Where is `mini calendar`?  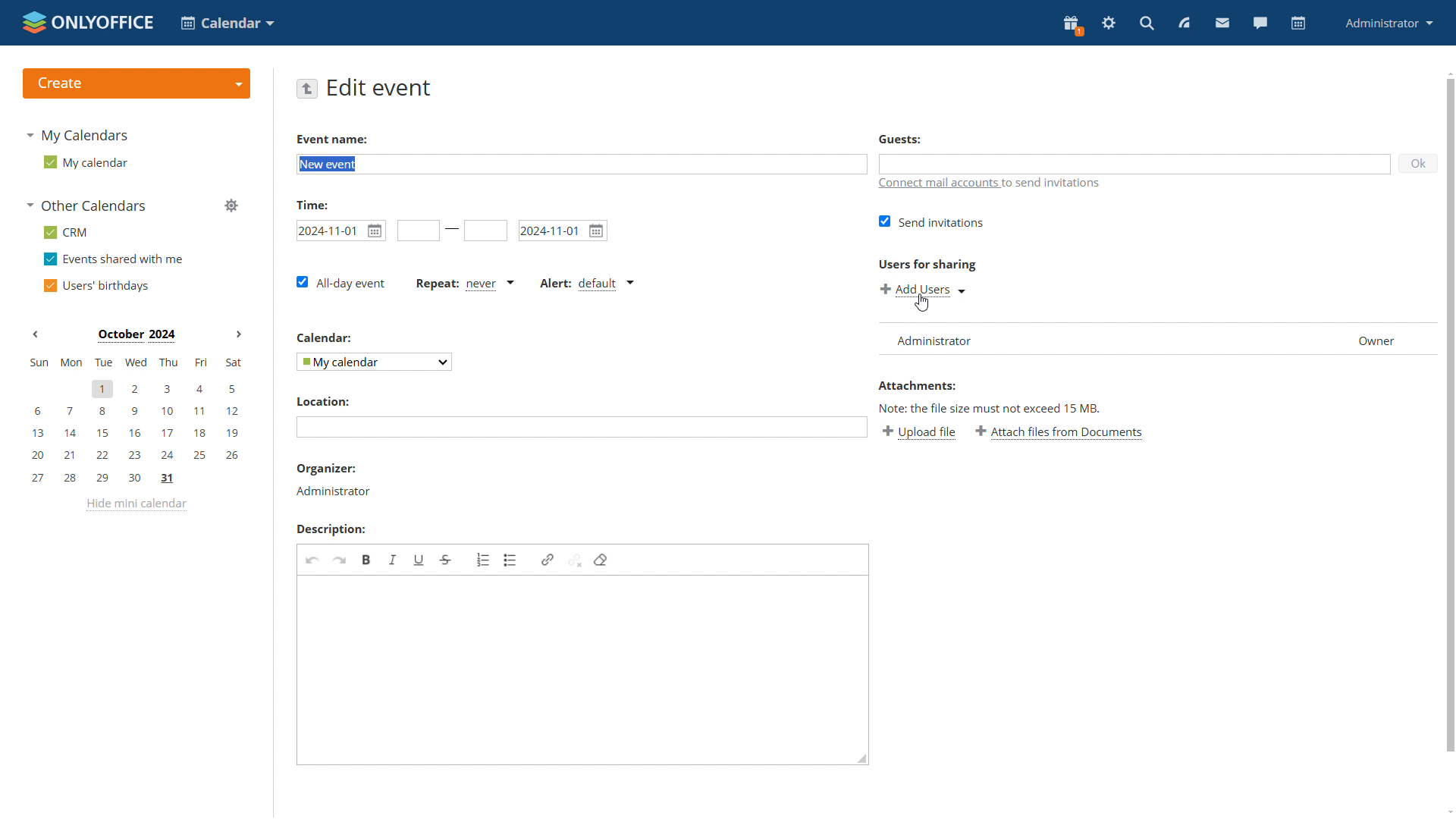 mini calendar is located at coordinates (135, 421).